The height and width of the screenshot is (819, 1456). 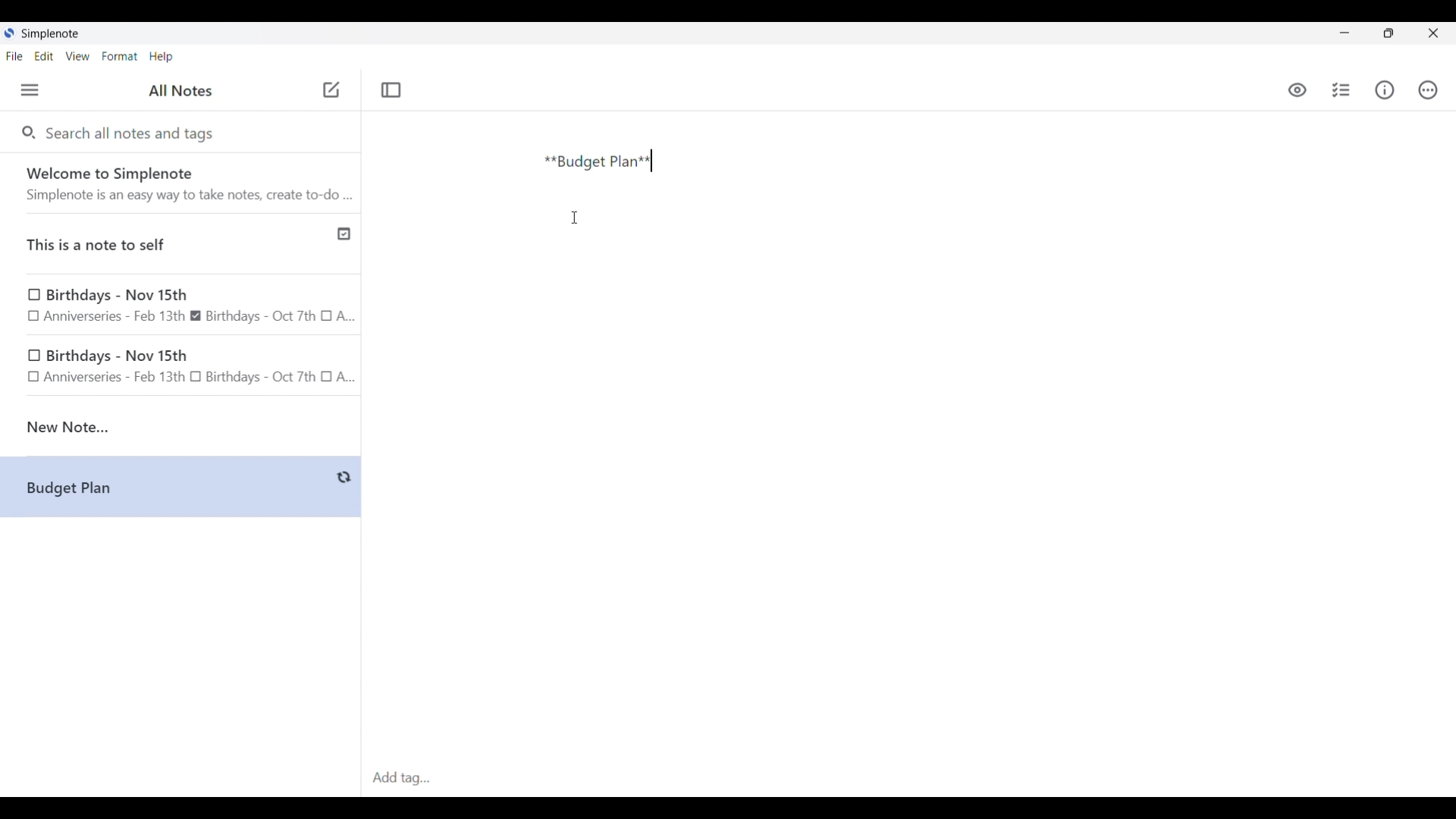 What do you see at coordinates (181, 306) in the screenshot?
I see `Earlier notes` at bounding box center [181, 306].